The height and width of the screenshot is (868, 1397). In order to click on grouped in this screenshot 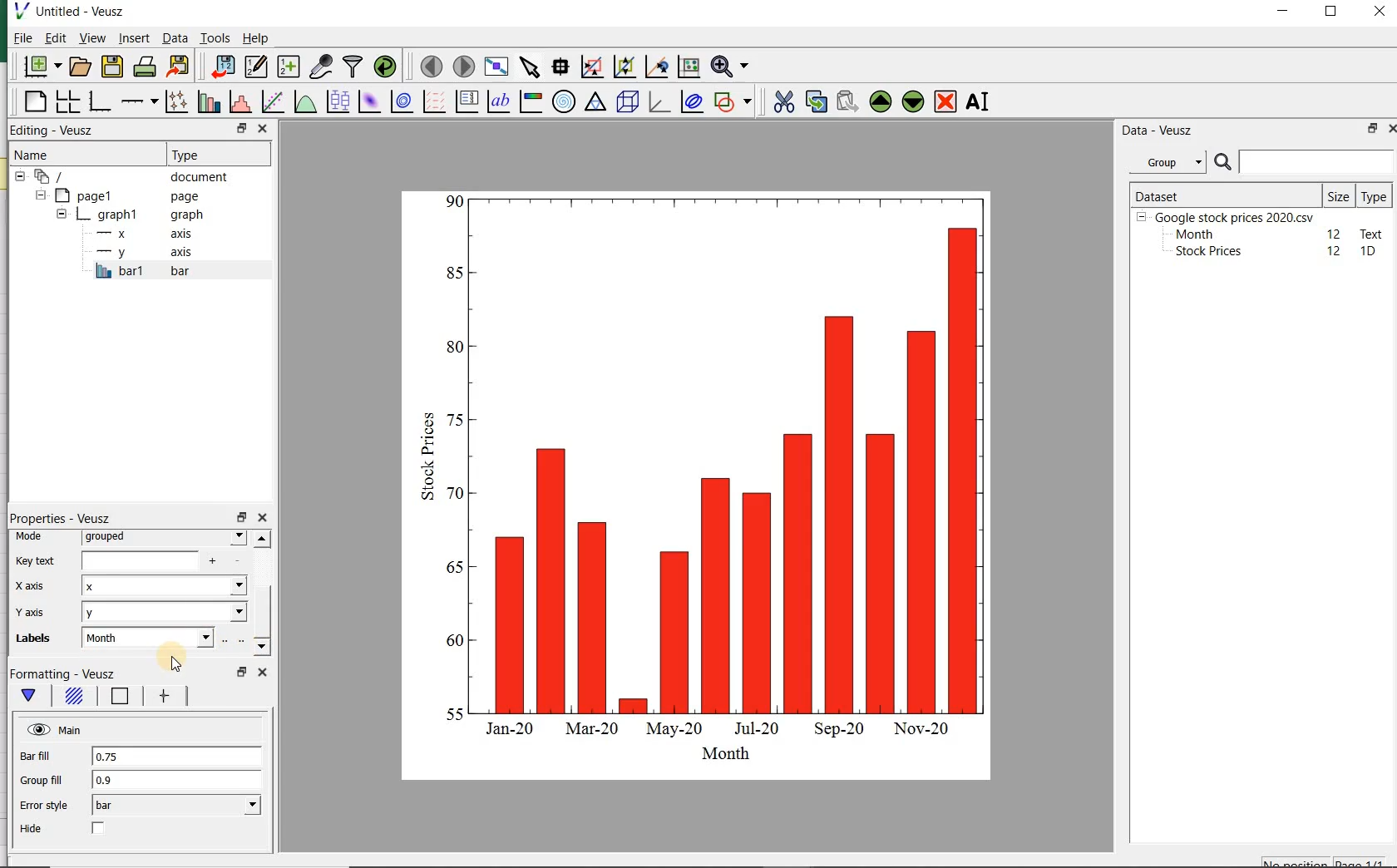, I will do `click(163, 537)`.